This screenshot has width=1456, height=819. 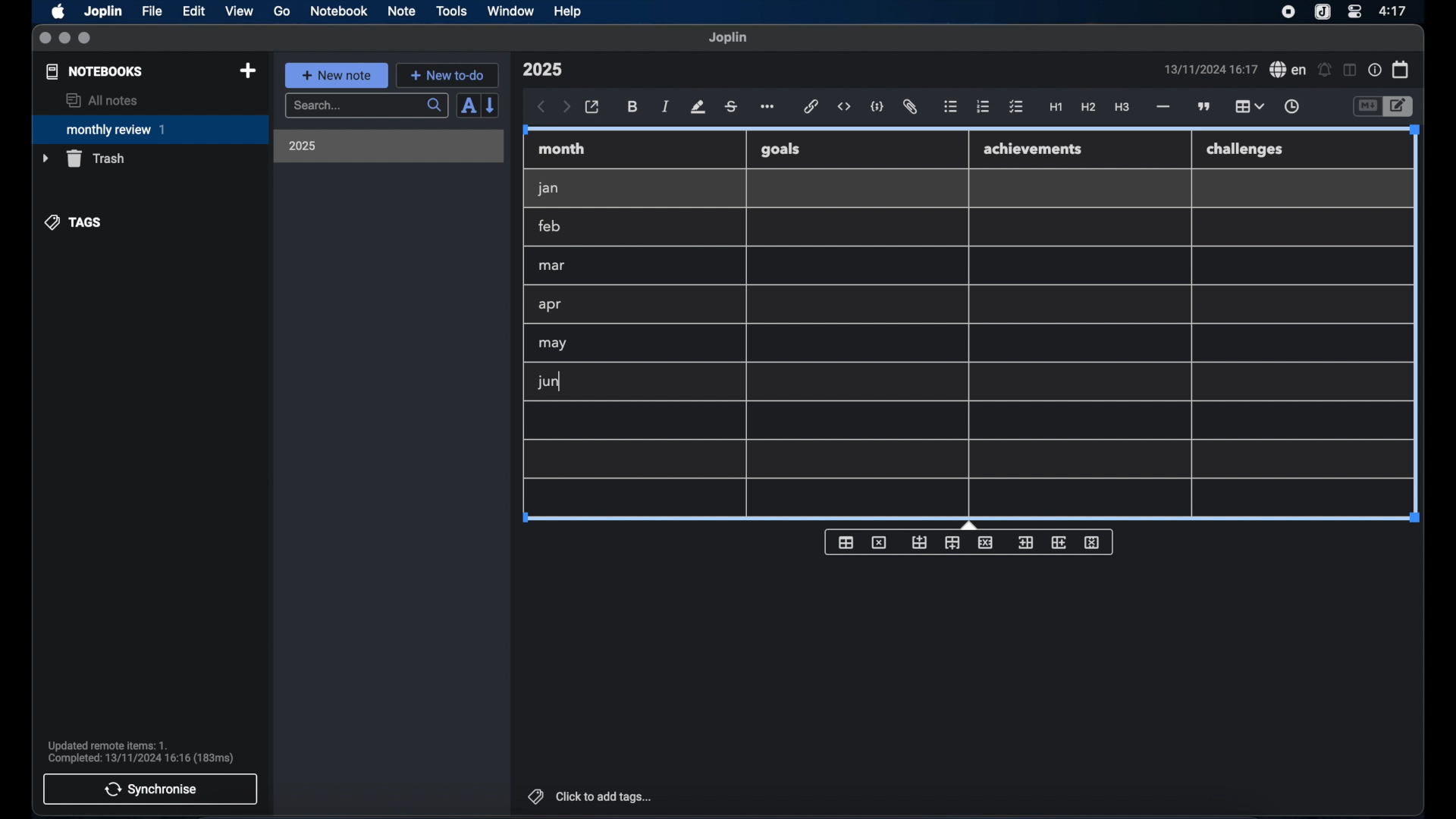 I want to click on heading 3, so click(x=1122, y=108).